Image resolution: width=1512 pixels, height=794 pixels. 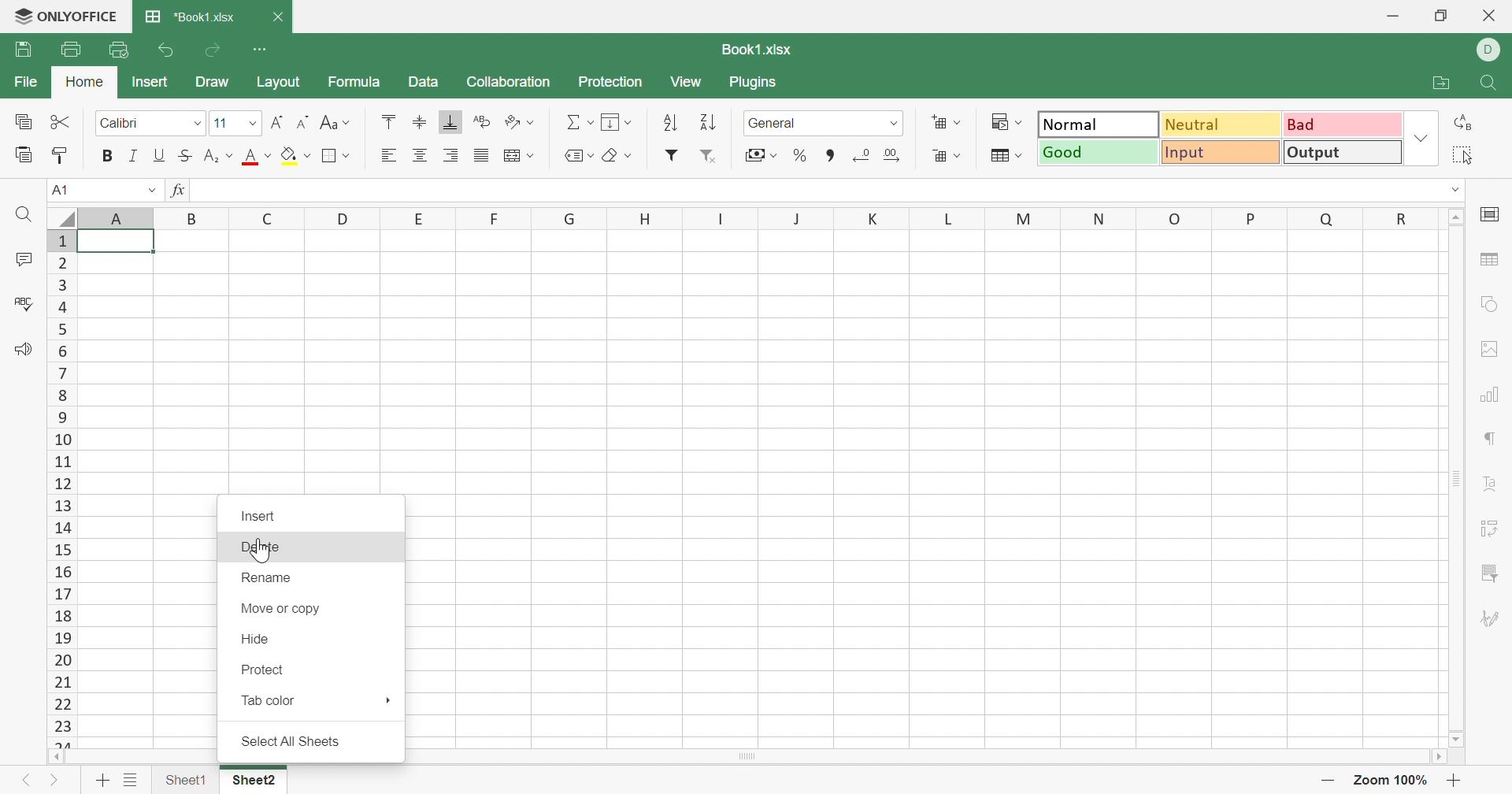 I want to click on List of sheets, so click(x=132, y=777).